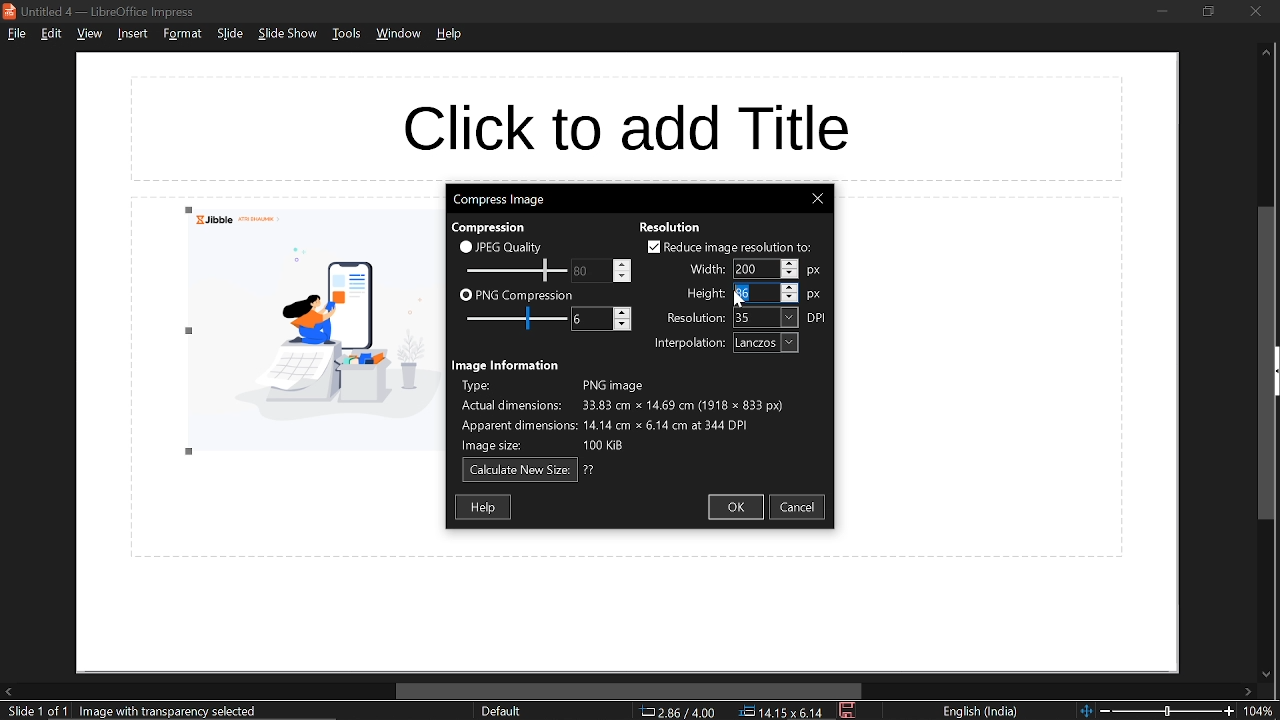  Describe the element at coordinates (623, 312) in the screenshot. I see `increase png compression` at that location.